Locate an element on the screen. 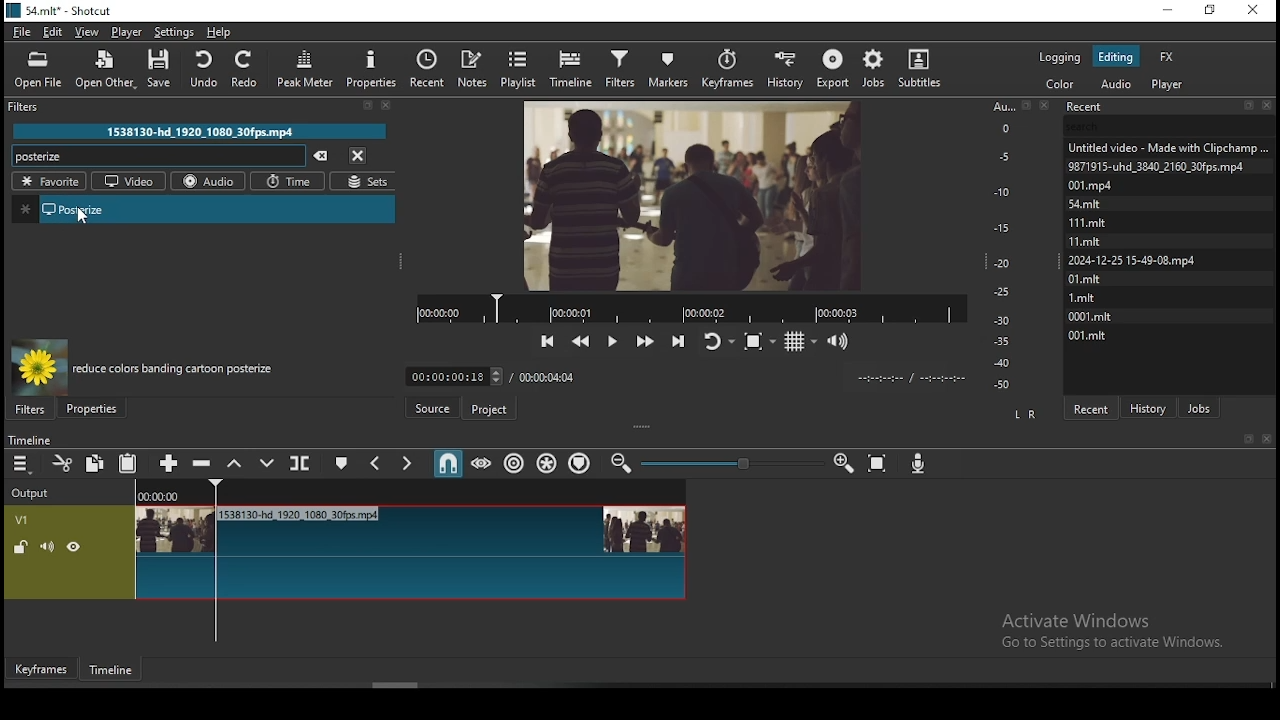 This screenshot has width=1280, height=720. play quickly forwards is located at coordinates (643, 340).